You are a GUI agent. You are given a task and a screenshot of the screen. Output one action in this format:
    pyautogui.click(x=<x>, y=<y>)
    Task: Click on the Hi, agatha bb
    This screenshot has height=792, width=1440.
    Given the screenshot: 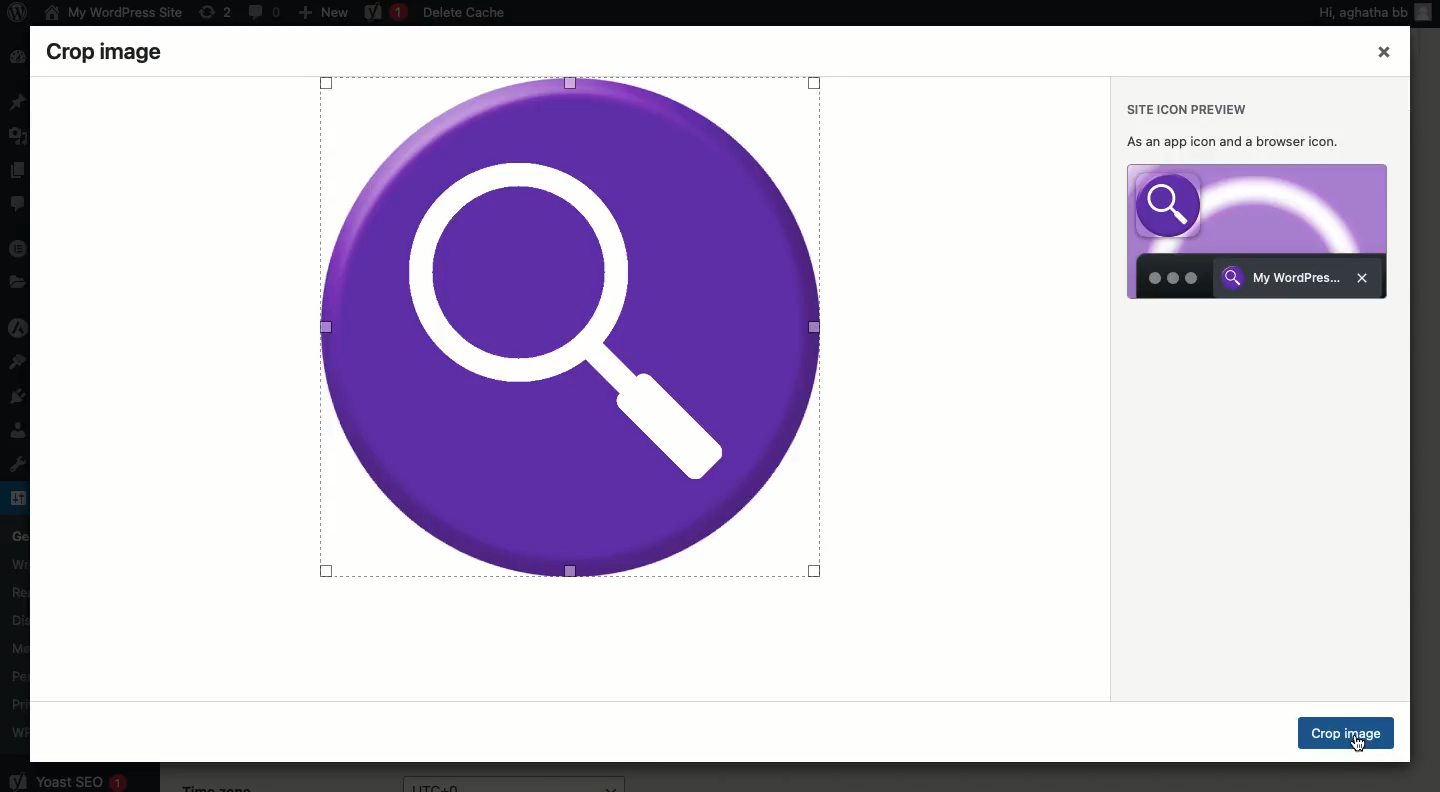 What is the action you would take?
    pyautogui.click(x=1360, y=15)
    